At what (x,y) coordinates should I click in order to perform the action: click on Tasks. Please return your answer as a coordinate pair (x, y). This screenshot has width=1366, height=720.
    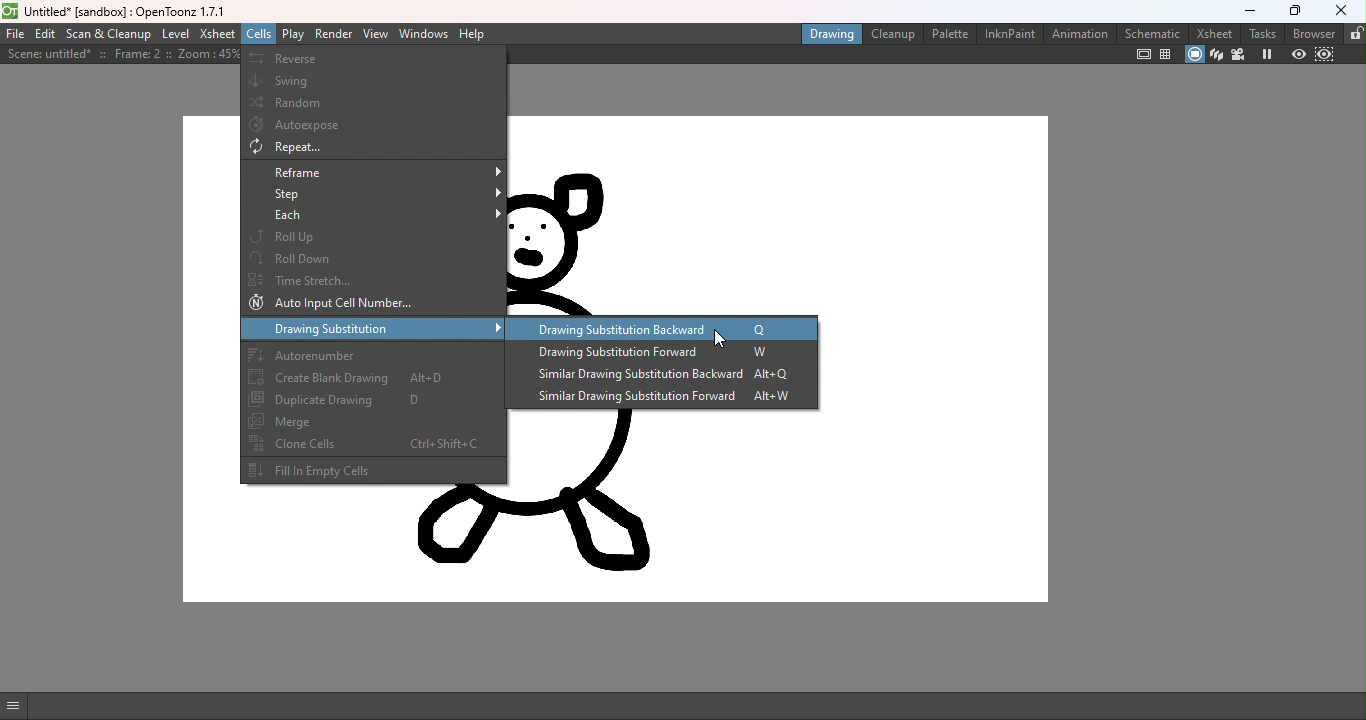
    Looking at the image, I should click on (1264, 32).